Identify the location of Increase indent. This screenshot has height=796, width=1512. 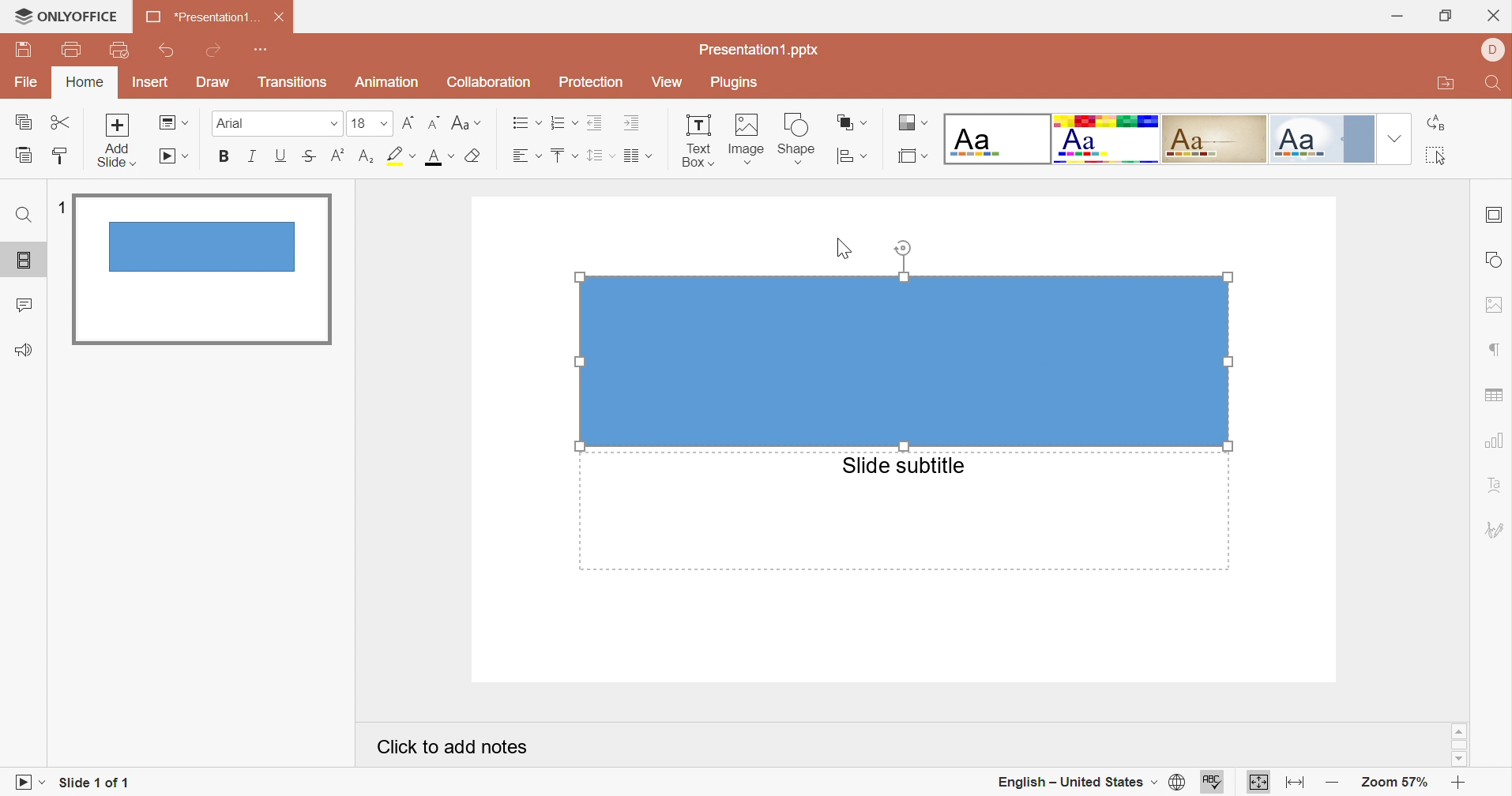
(634, 122).